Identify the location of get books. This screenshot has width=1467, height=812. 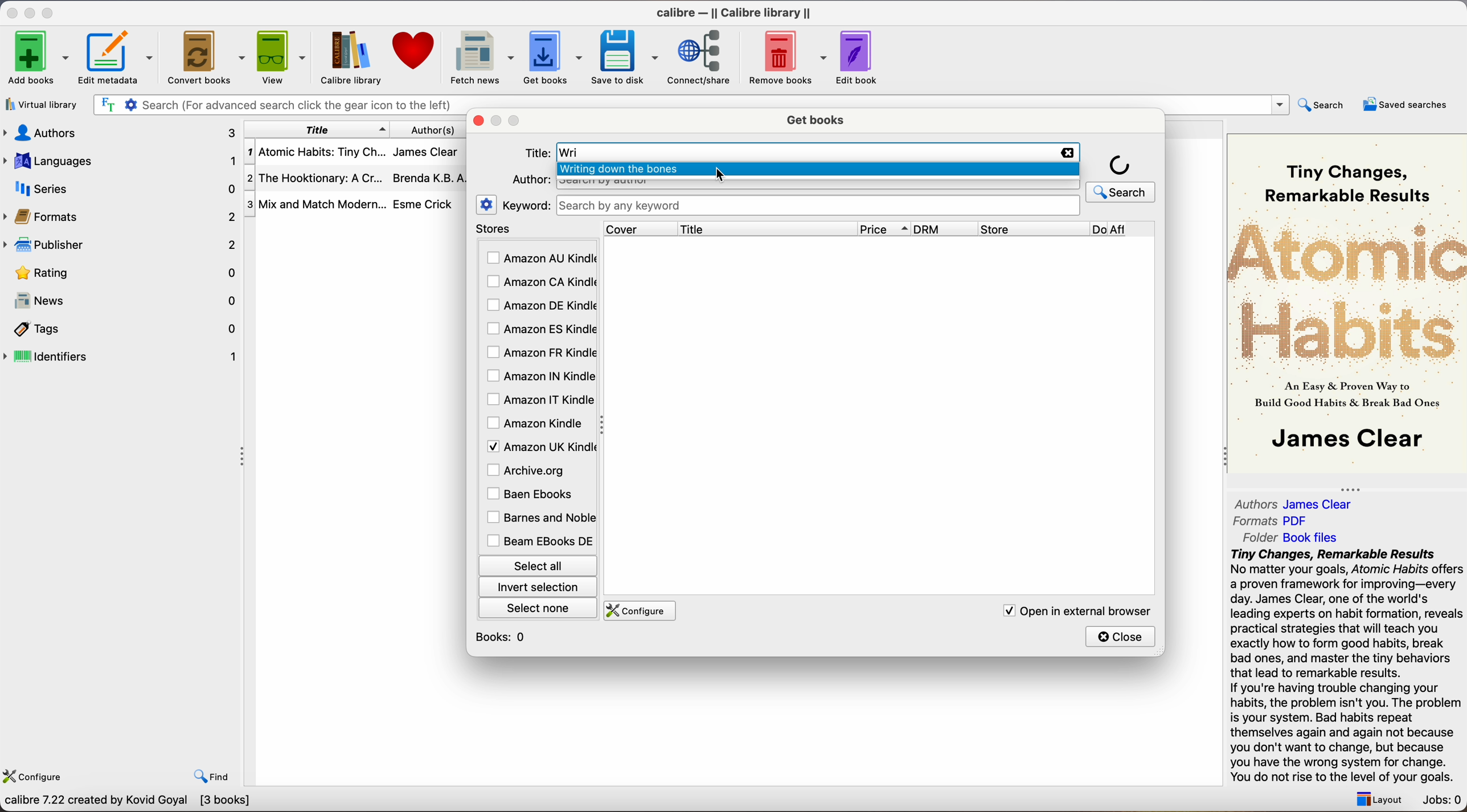
(818, 118).